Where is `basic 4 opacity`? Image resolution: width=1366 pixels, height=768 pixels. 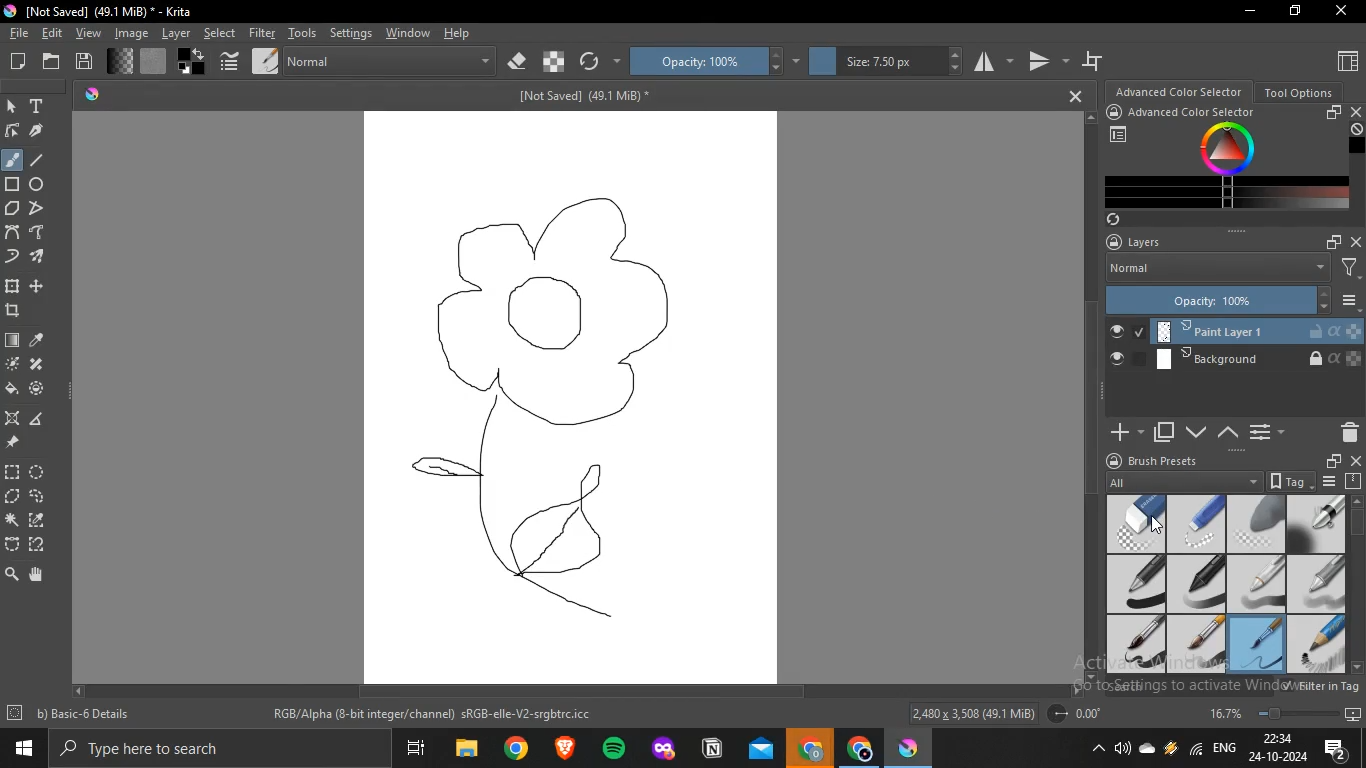 basic 4 opacity is located at coordinates (1319, 584).